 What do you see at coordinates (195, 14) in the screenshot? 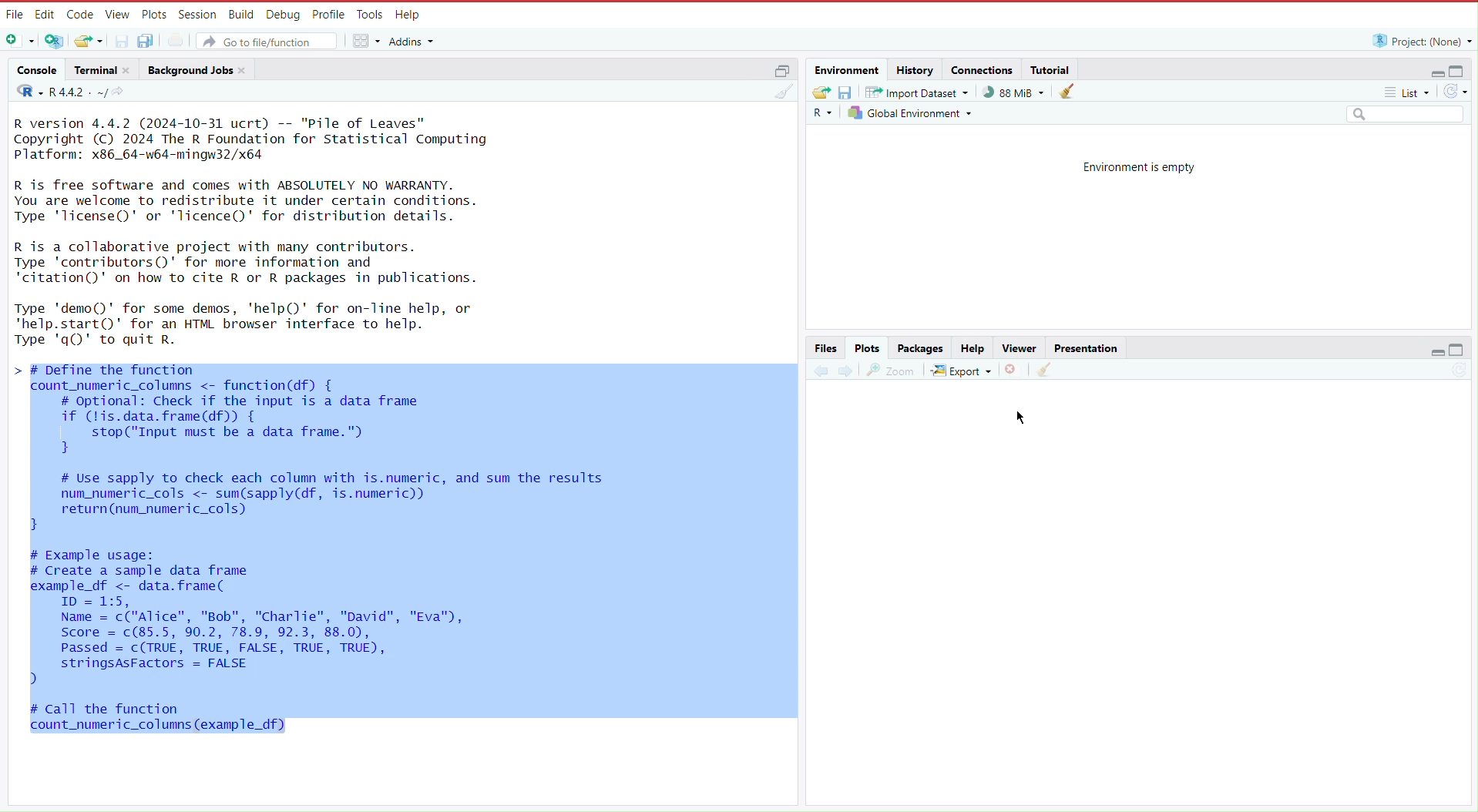
I see `Session` at bounding box center [195, 14].